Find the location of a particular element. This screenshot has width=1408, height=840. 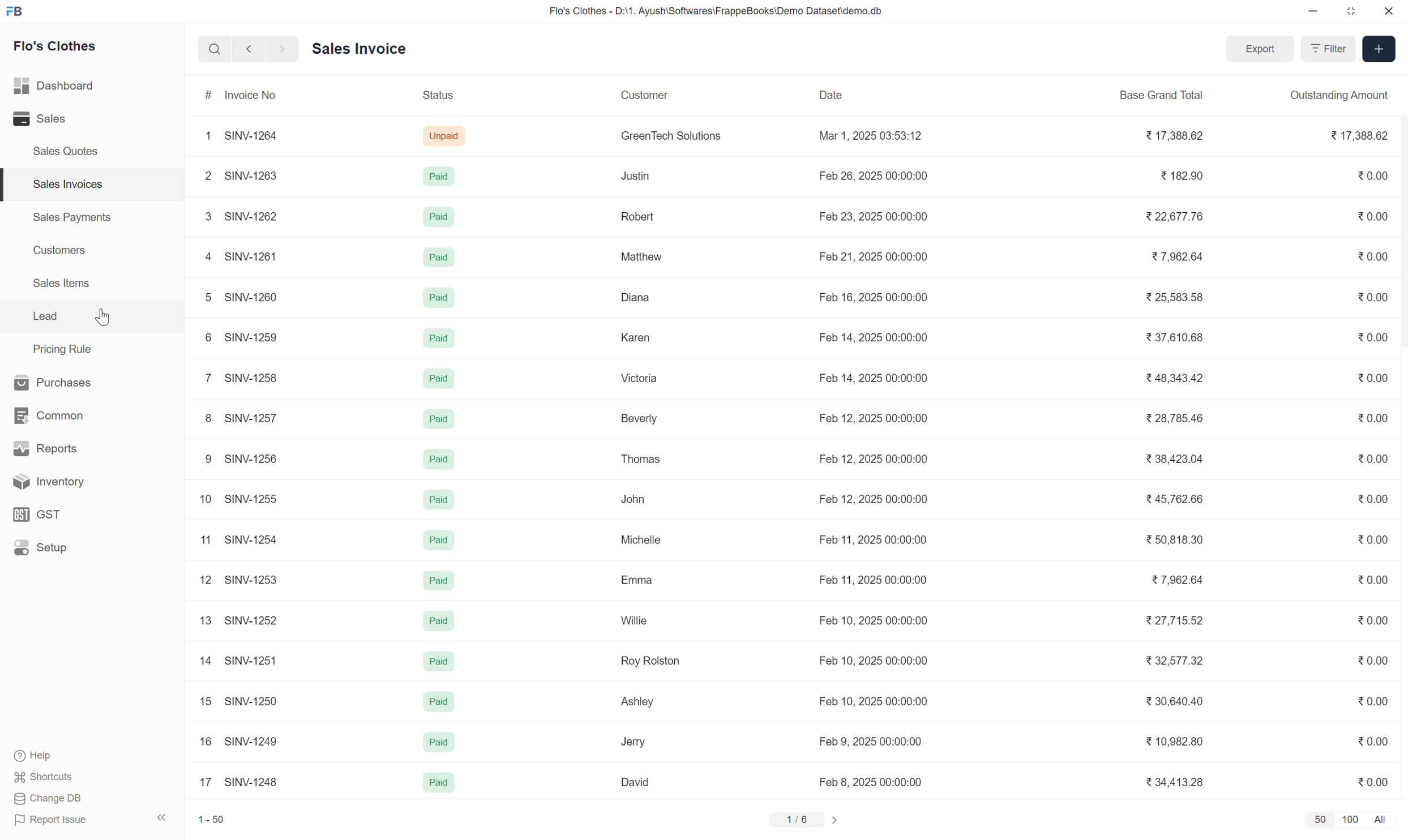

SINV-1257 is located at coordinates (254, 418).